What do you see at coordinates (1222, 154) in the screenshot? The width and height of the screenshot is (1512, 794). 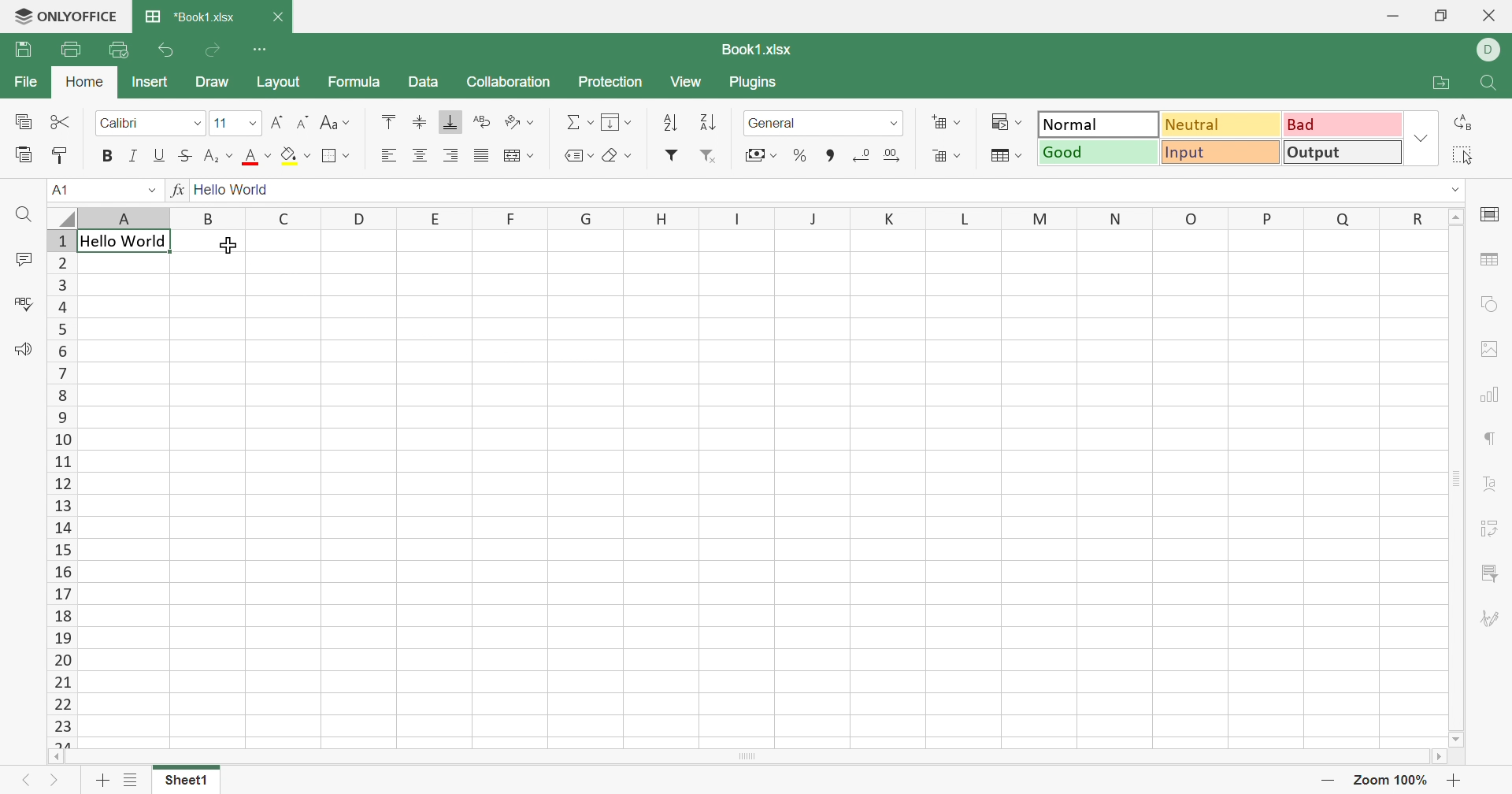 I see `Input` at bounding box center [1222, 154].